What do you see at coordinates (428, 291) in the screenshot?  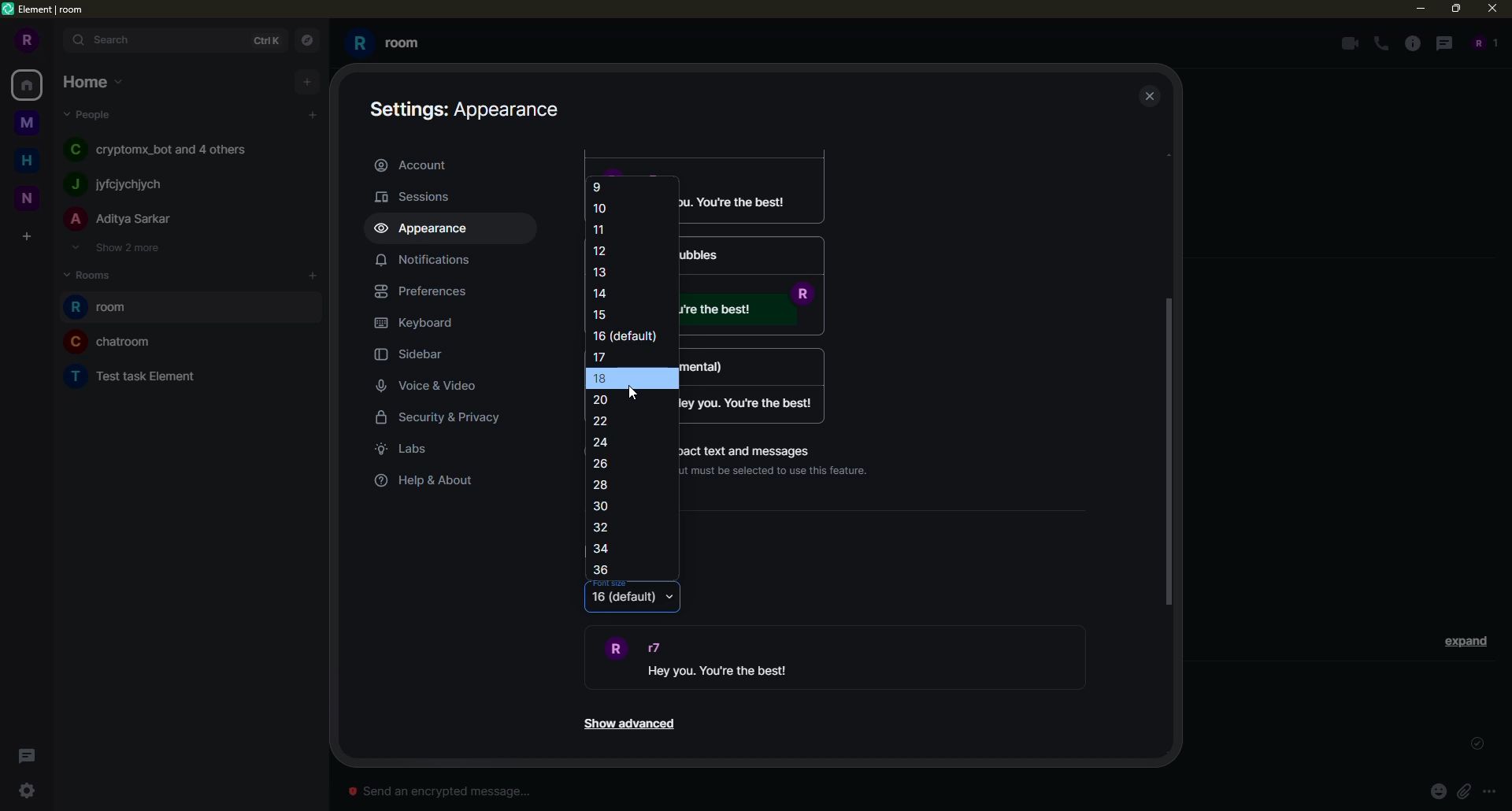 I see `preferences` at bounding box center [428, 291].